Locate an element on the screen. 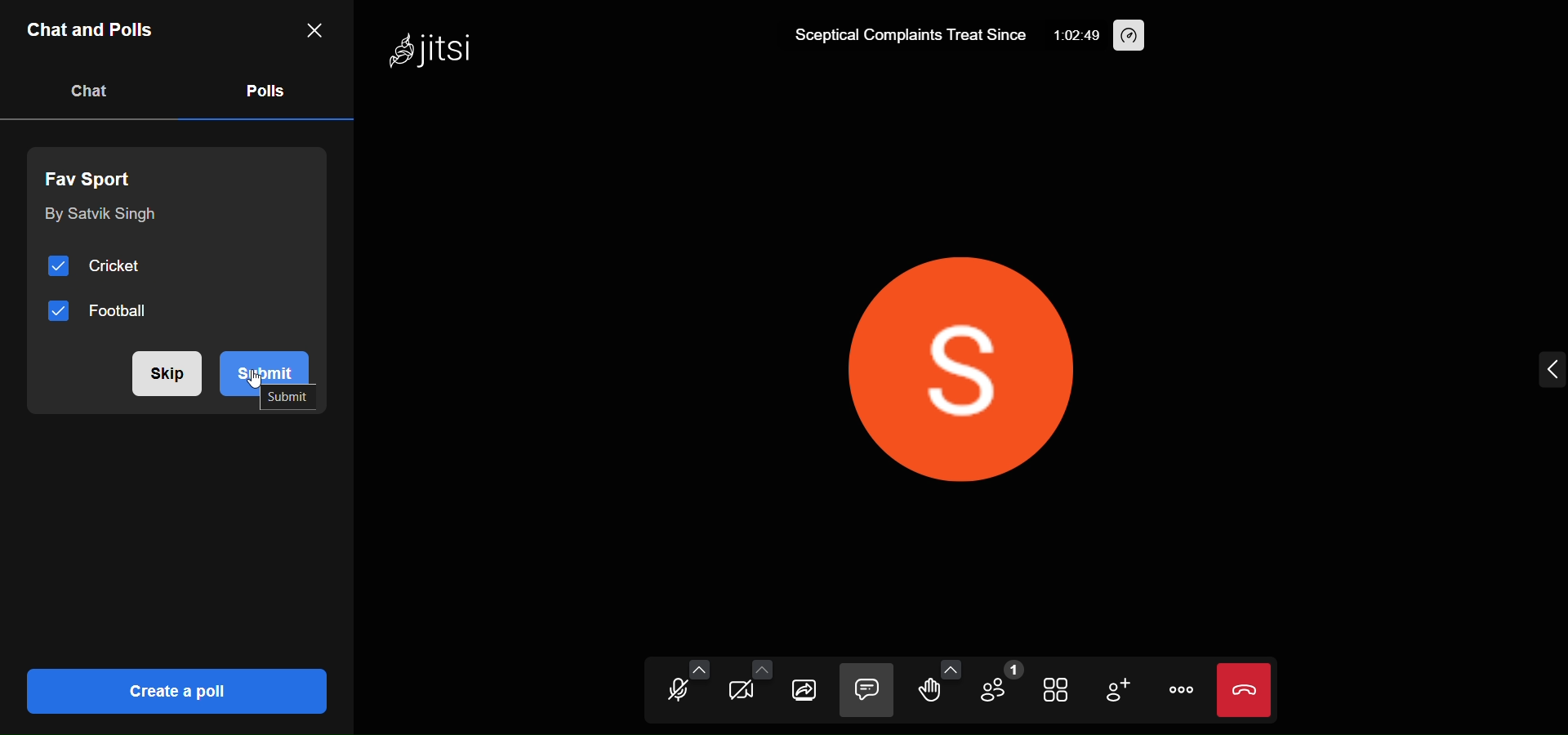  select is located at coordinates (295, 401).